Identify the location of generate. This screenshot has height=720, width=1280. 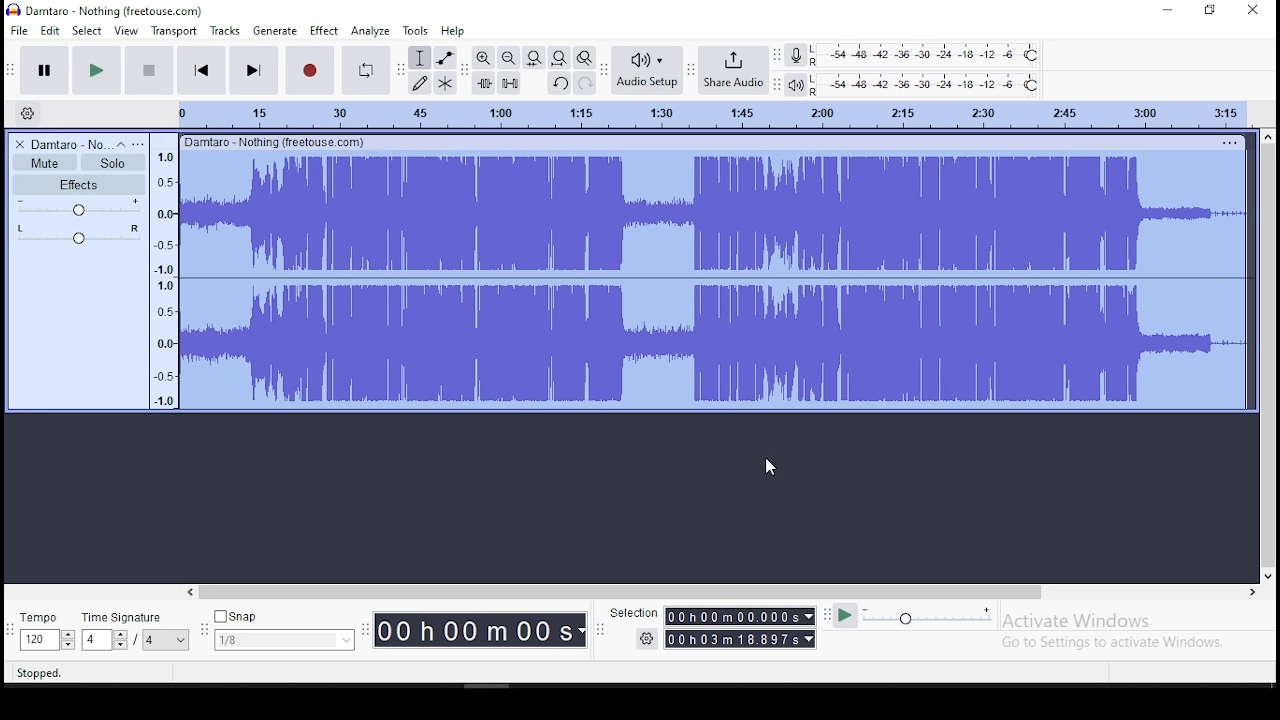
(274, 30).